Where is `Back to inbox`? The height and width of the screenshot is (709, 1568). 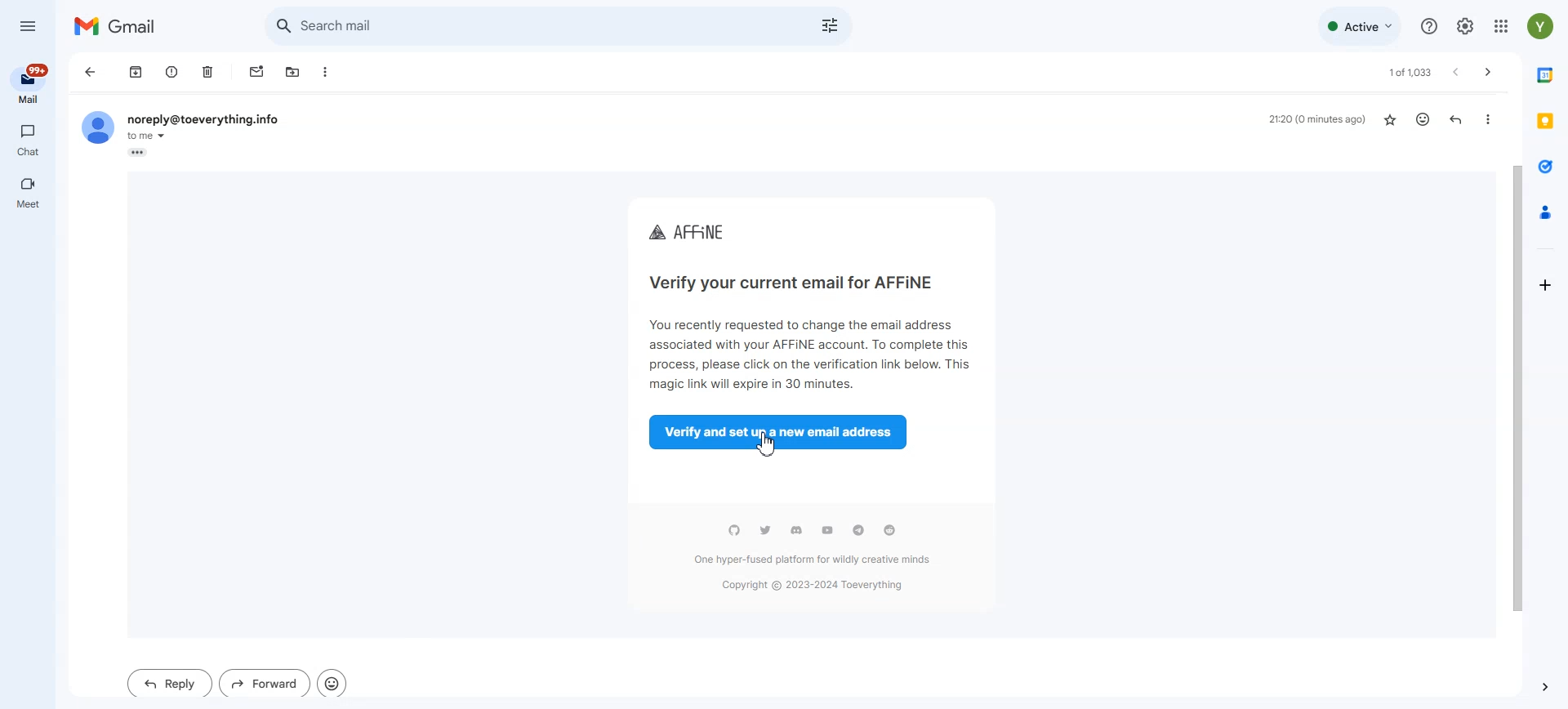
Back to inbox is located at coordinates (91, 73).